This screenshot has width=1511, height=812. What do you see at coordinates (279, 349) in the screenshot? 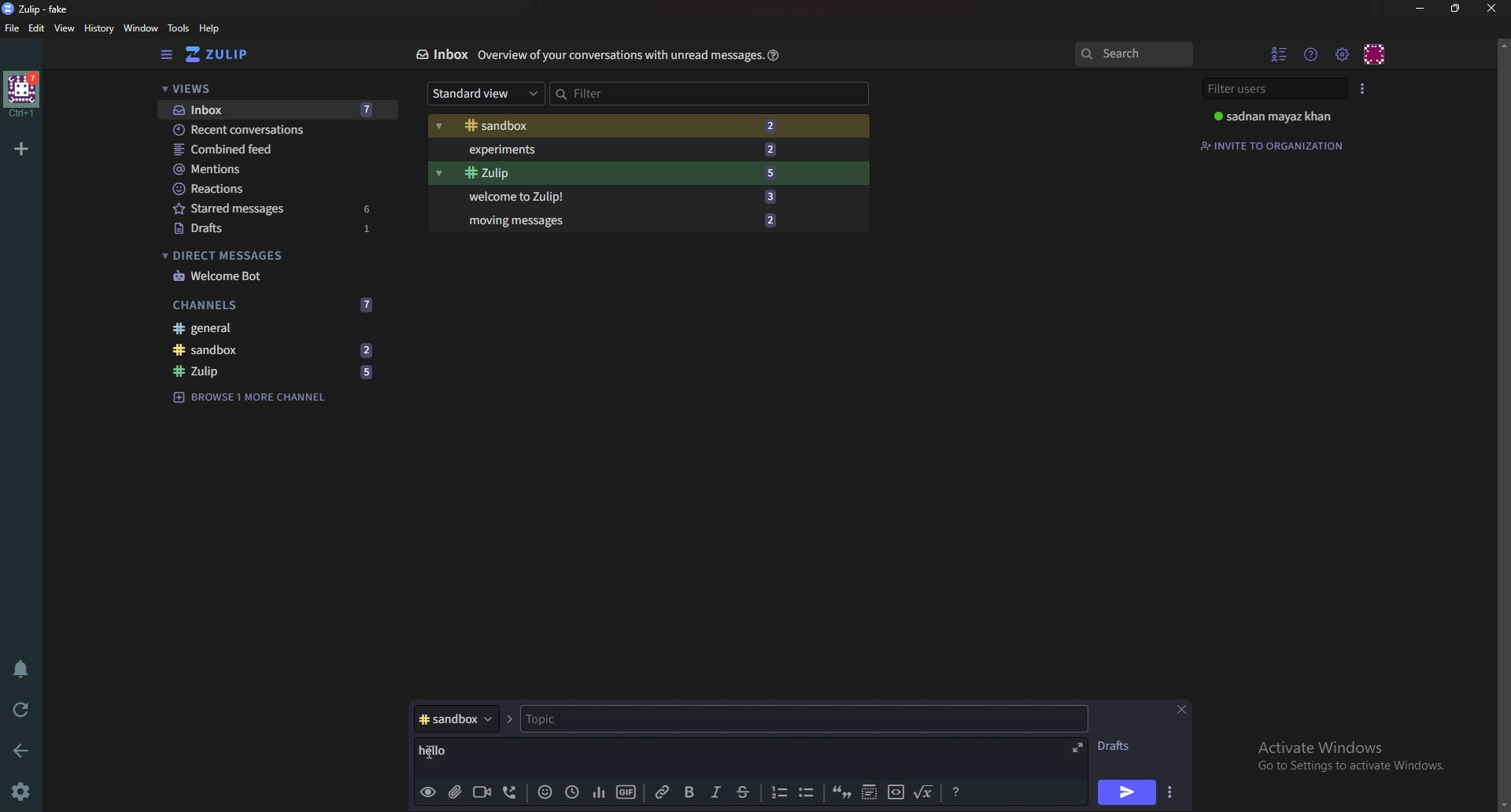
I see `sandbox` at bounding box center [279, 349].